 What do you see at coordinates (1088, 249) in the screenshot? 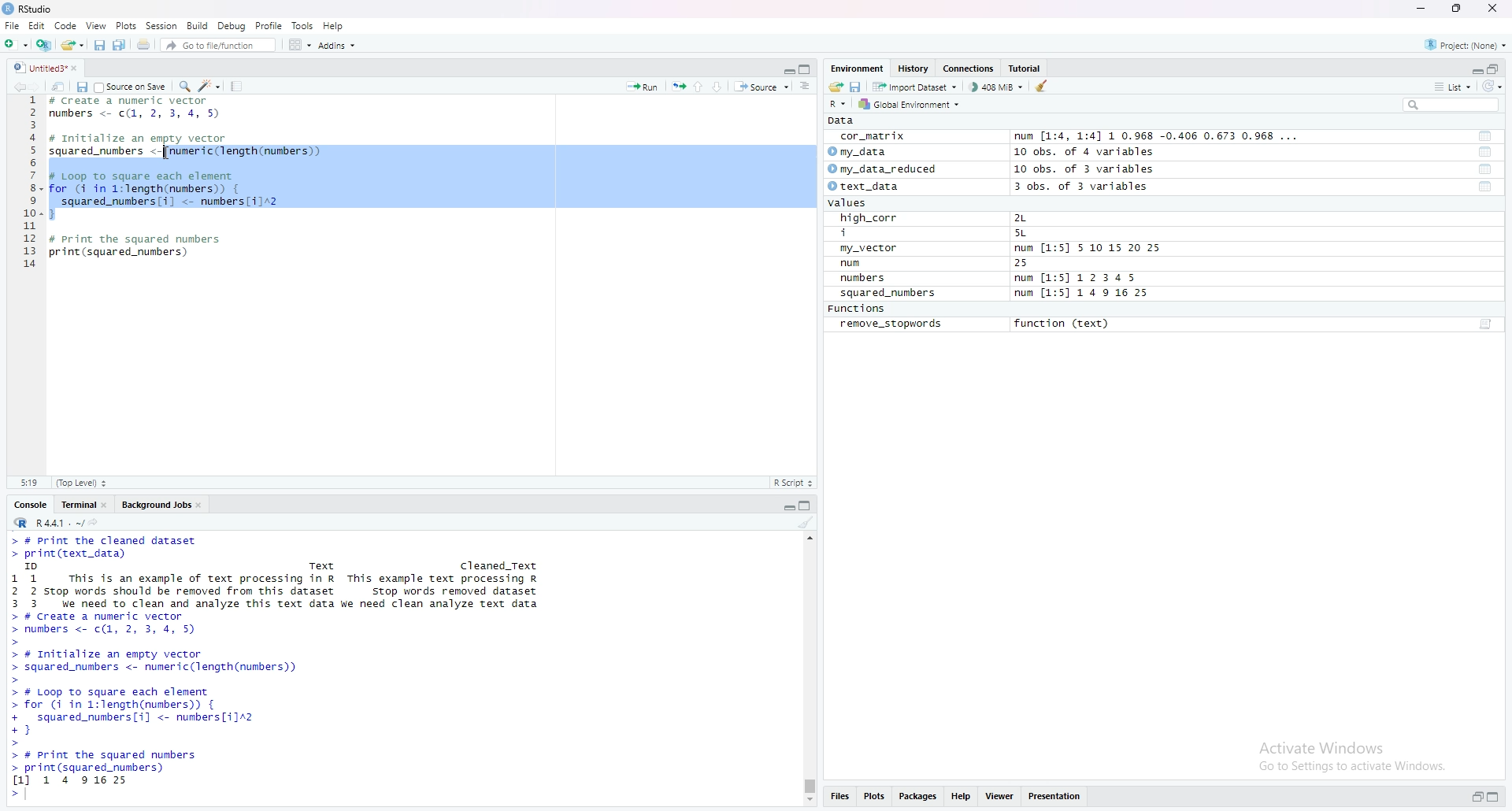
I see `num [1:5] S 10 15 20 25` at bounding box center [1088, 249].